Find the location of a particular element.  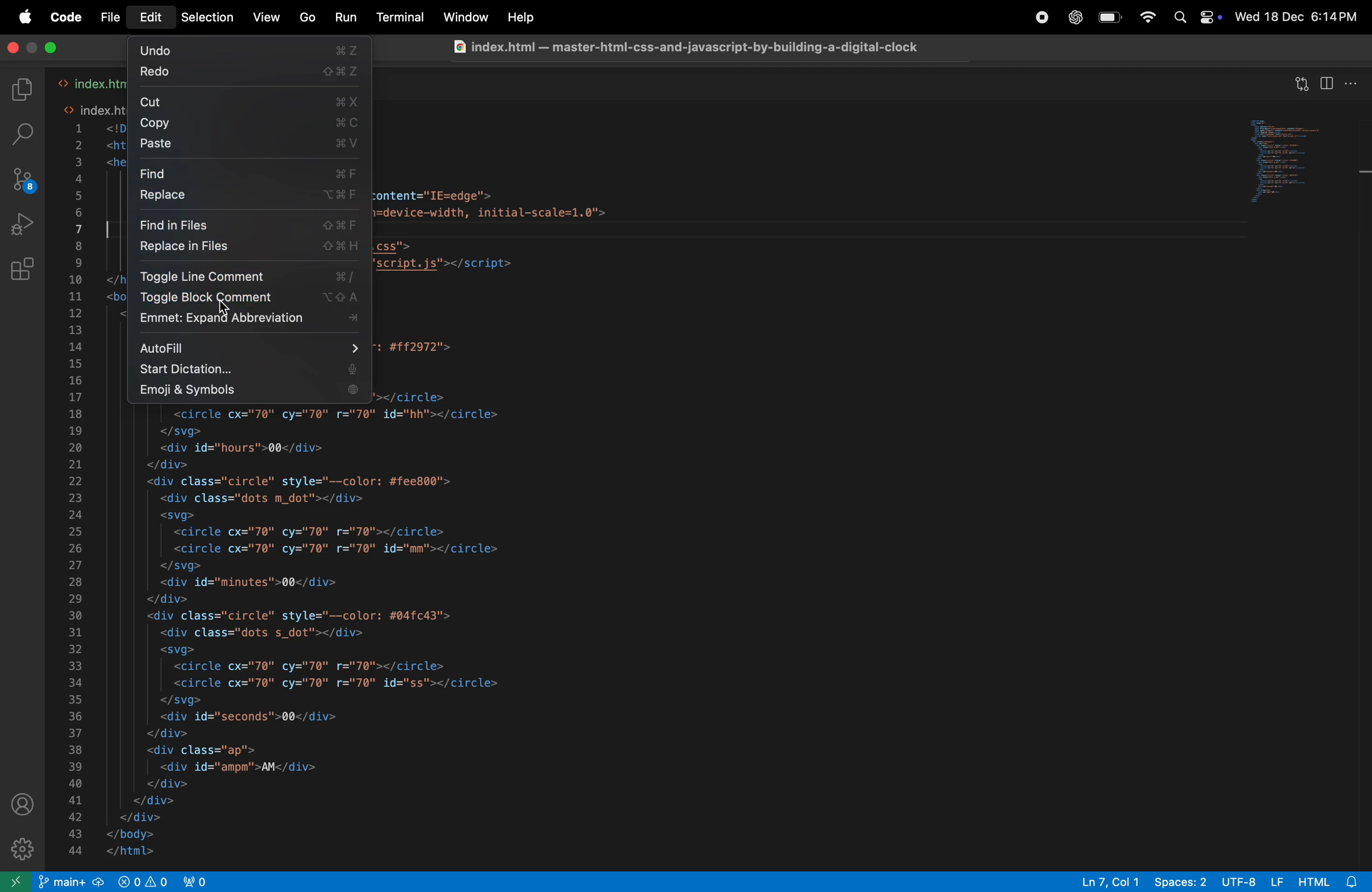

spaces -2 is located at coordinates (1179, 880).